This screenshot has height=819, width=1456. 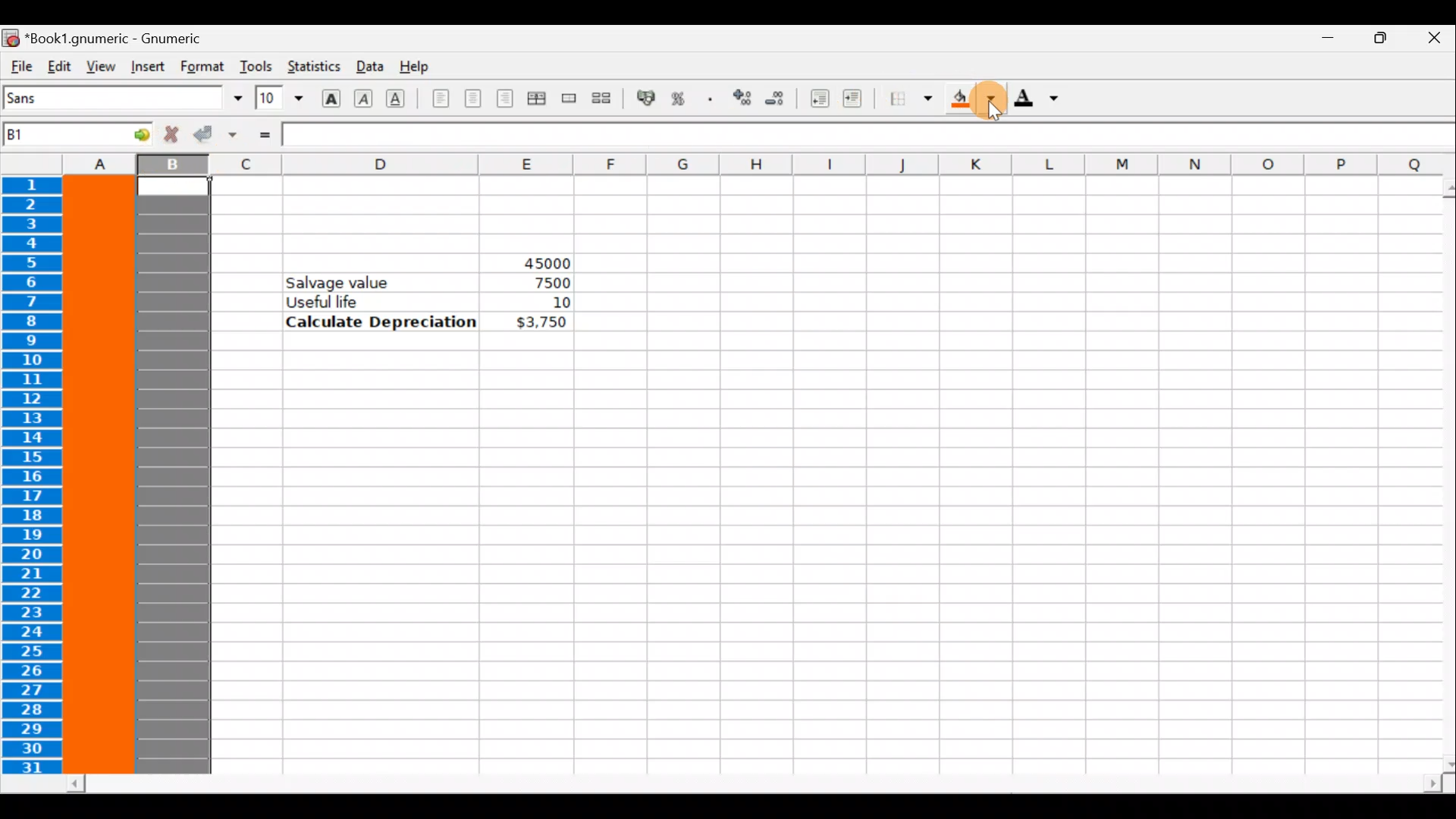 What do you see at coordinates (120, 99) in the screenshot?
I see `Font name - Sans` at bounding box center [120, 99].